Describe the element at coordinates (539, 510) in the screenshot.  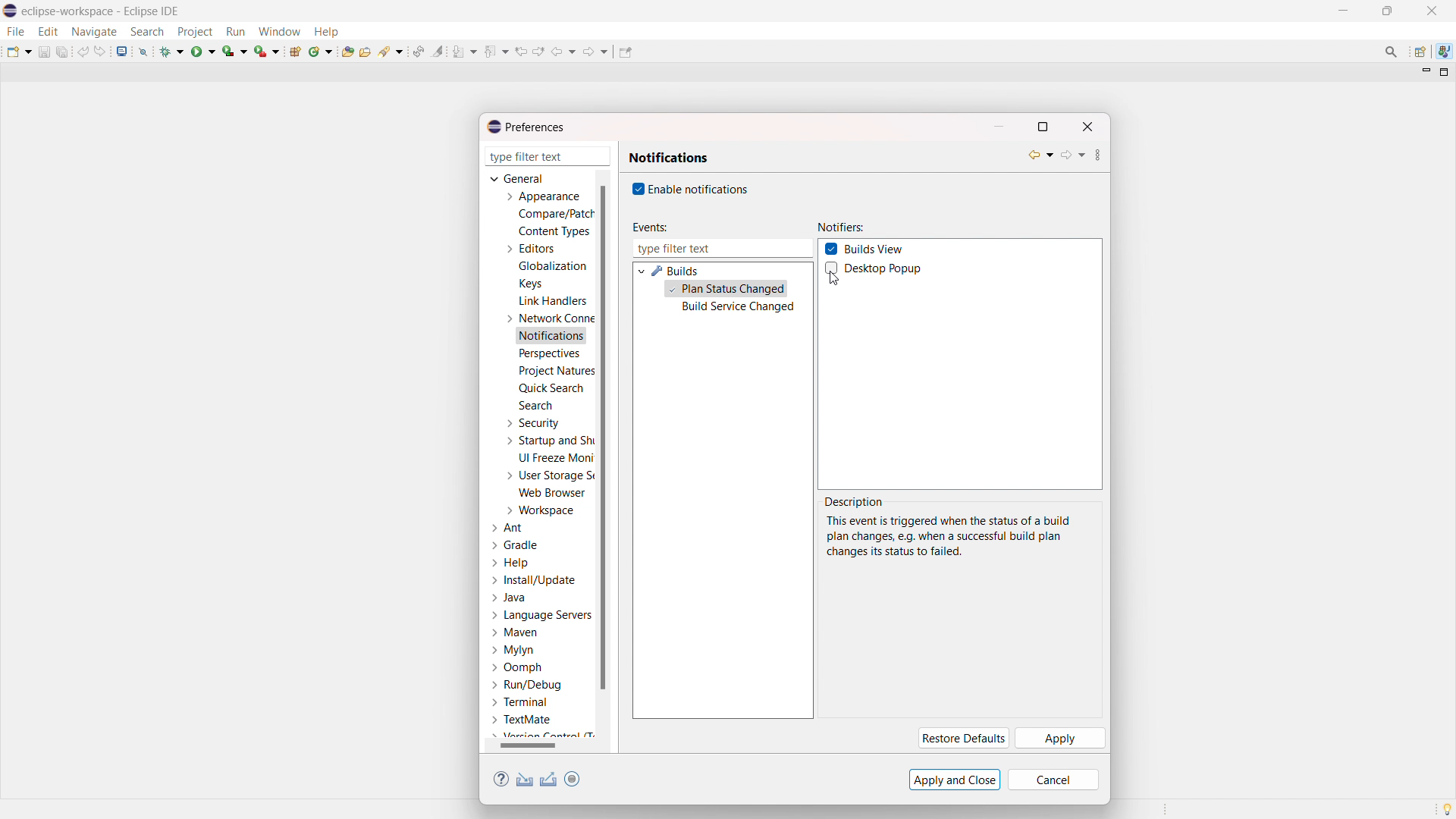
I see `workspace` at that location.